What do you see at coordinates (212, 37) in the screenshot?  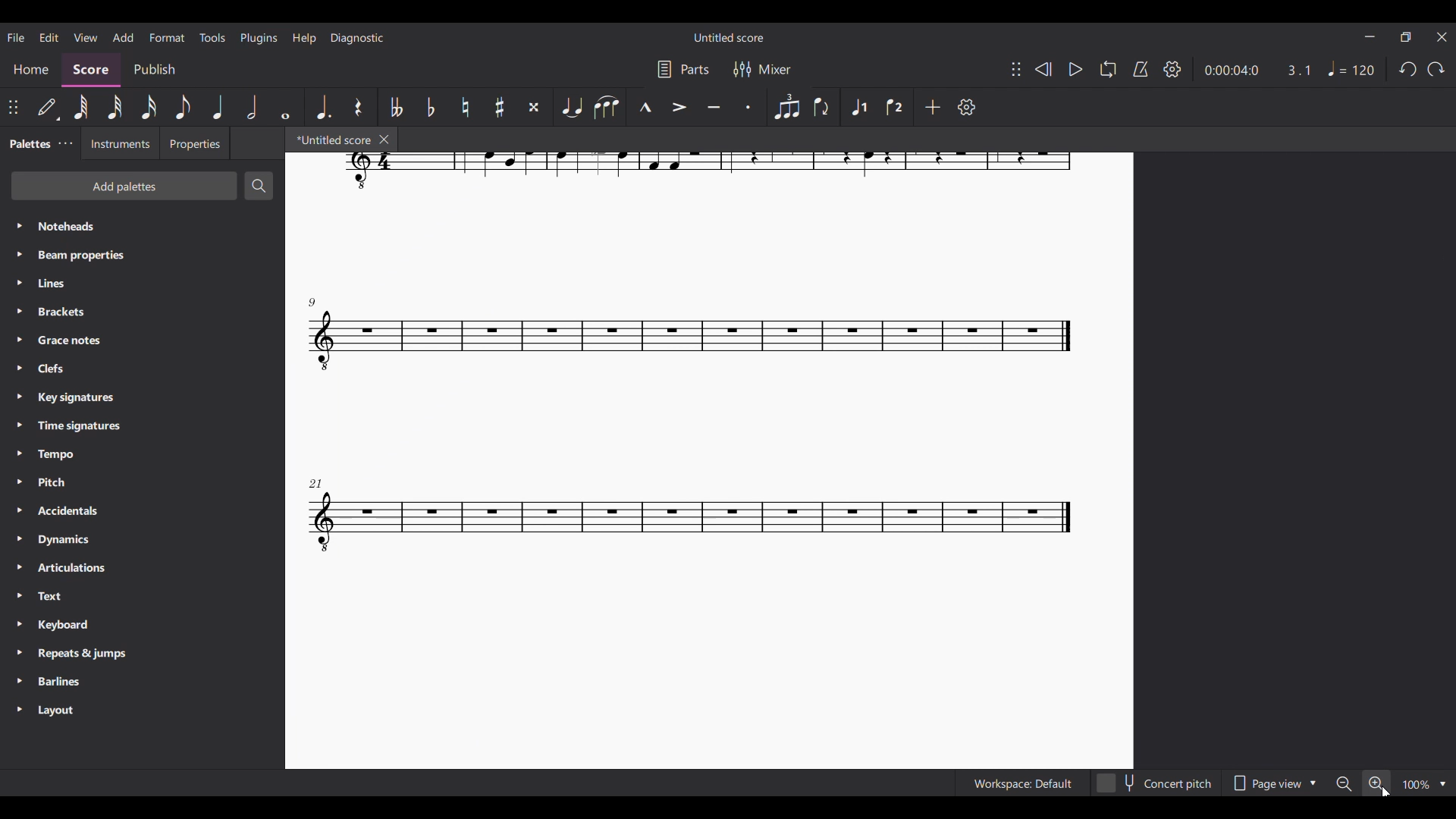 I see `Tools menu` at bounding box center [212, 37].